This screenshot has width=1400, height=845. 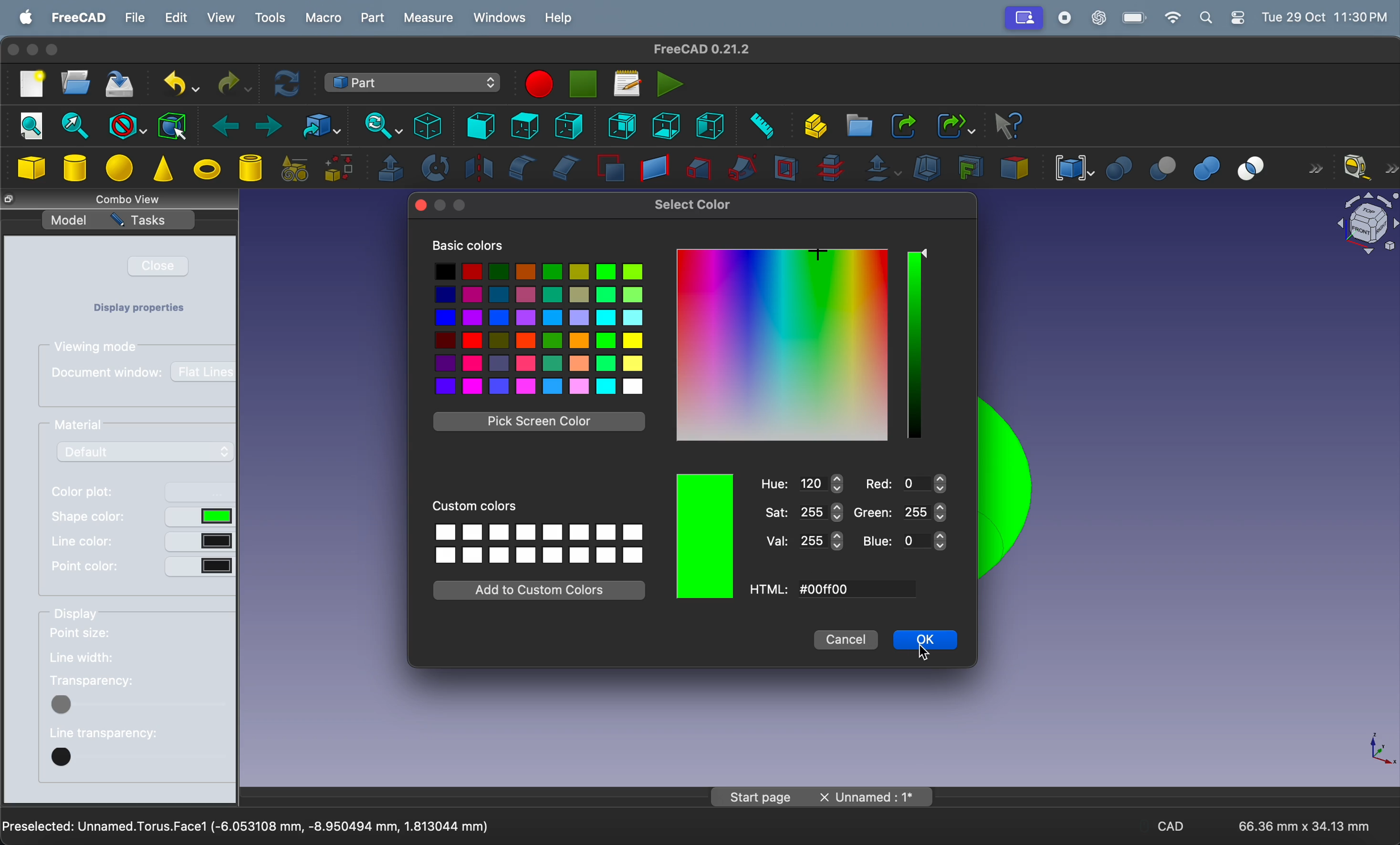 I want to click on Sat, so click(x=803, y=512).